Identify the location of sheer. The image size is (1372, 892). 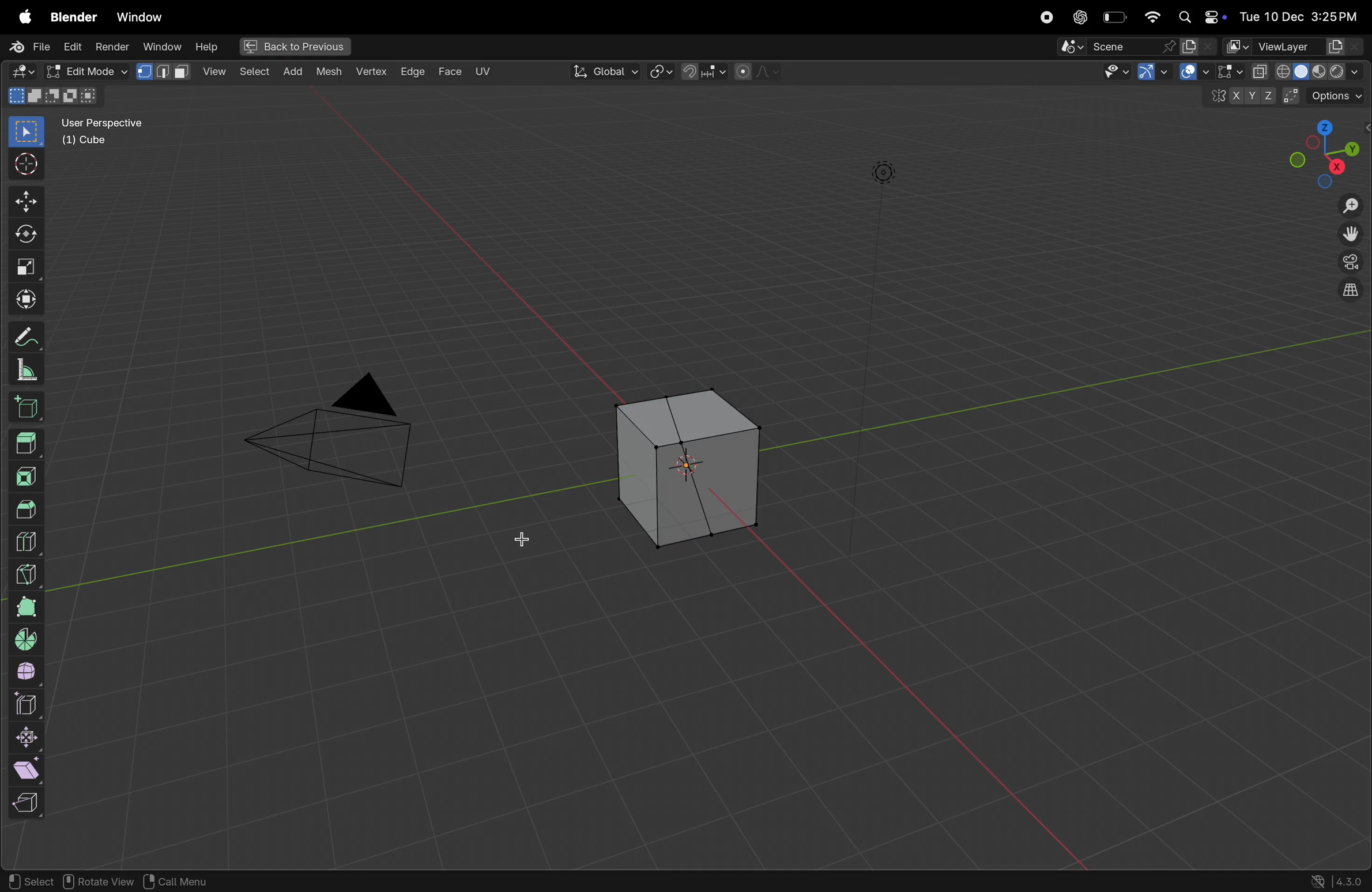
(31, 769).